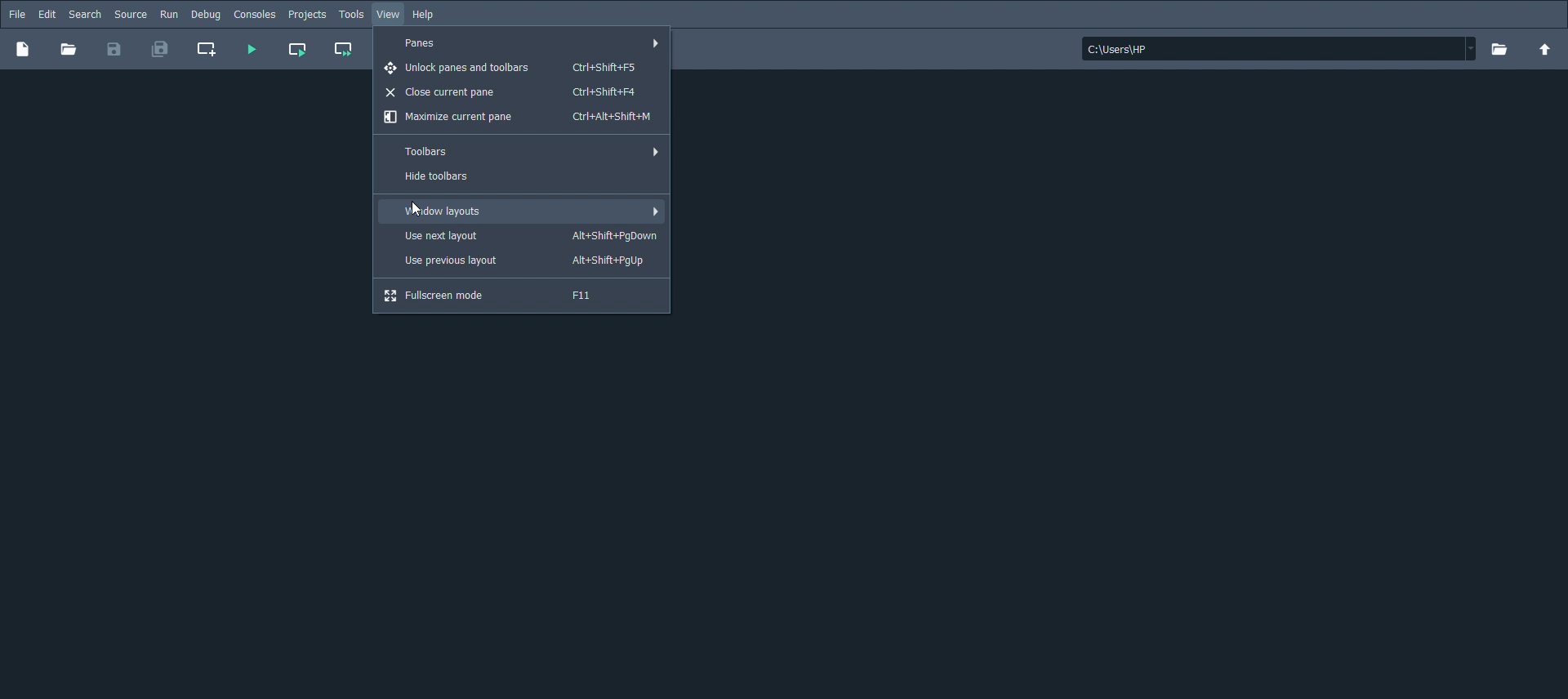 The width and height of the screenshot is (1568, 699). What do you see at coordinates (528, 211) in the screenshot?
I see `Window layouts` at bounding box center [528, 211].